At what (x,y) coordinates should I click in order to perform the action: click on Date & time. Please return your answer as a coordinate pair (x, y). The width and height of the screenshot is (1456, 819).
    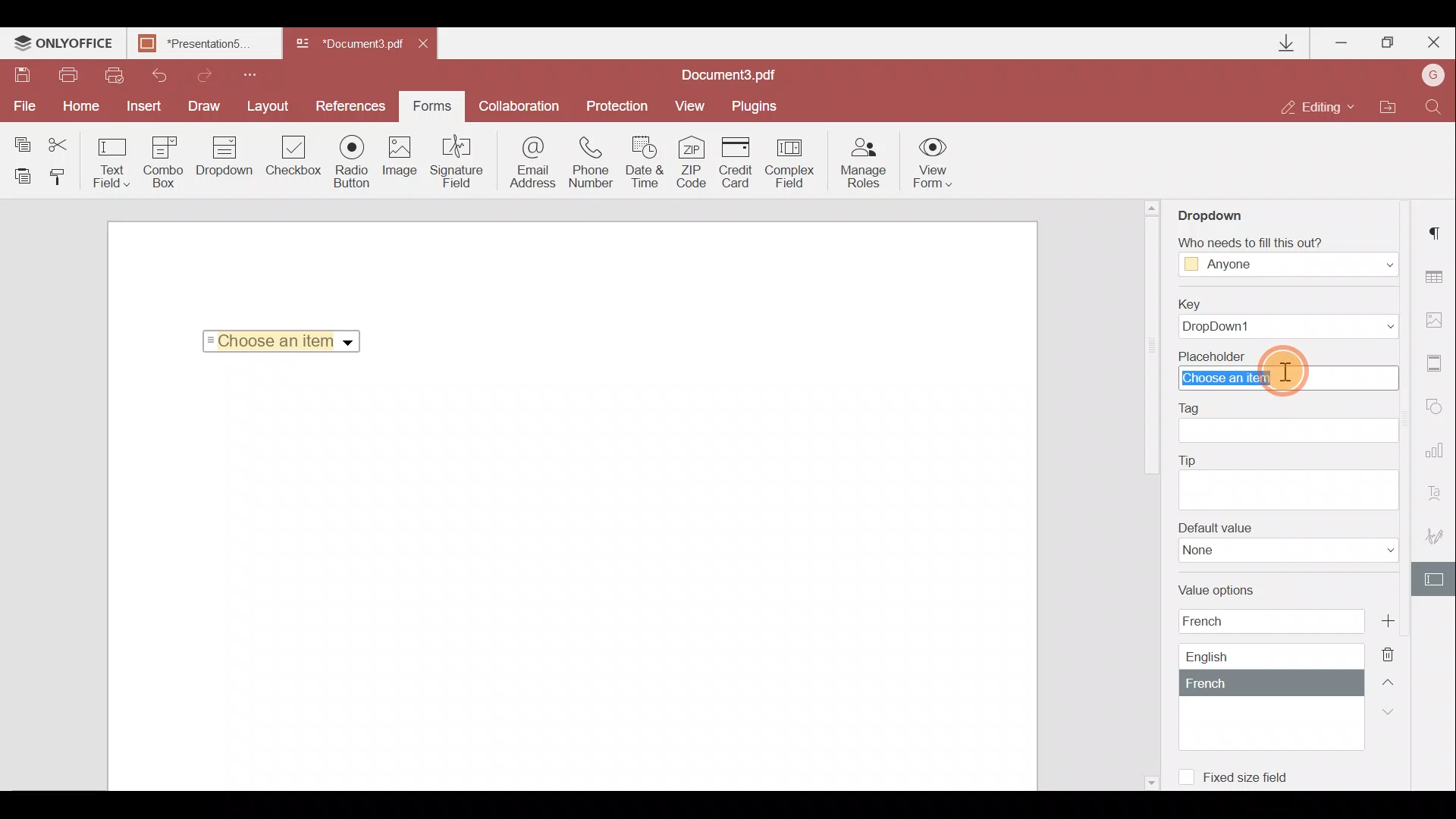
    Looking at the image, I should click on (646, 165).